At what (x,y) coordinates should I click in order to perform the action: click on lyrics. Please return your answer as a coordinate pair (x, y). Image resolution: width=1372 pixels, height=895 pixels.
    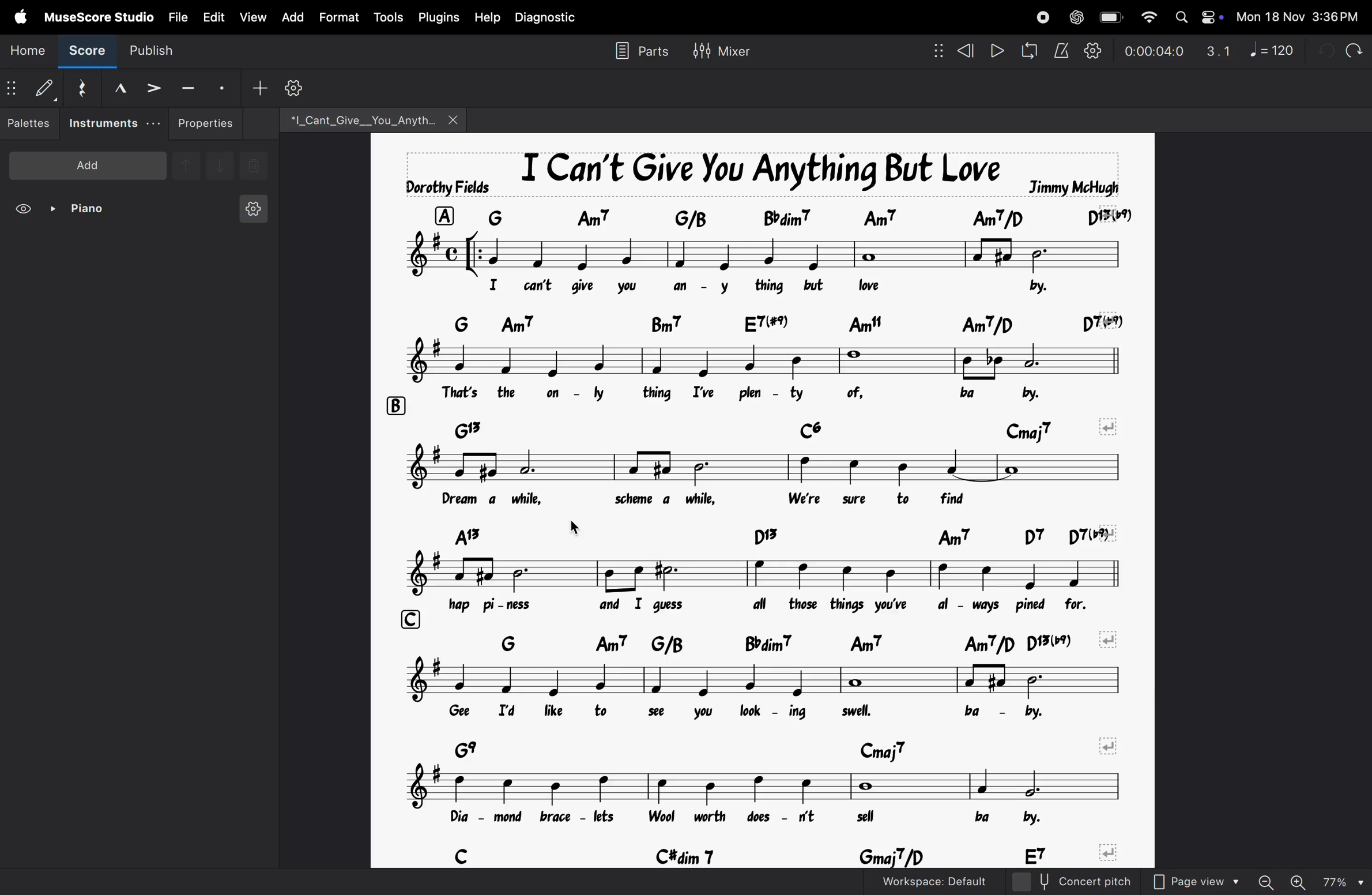
    Looking at the image, I should click on (783, 499).